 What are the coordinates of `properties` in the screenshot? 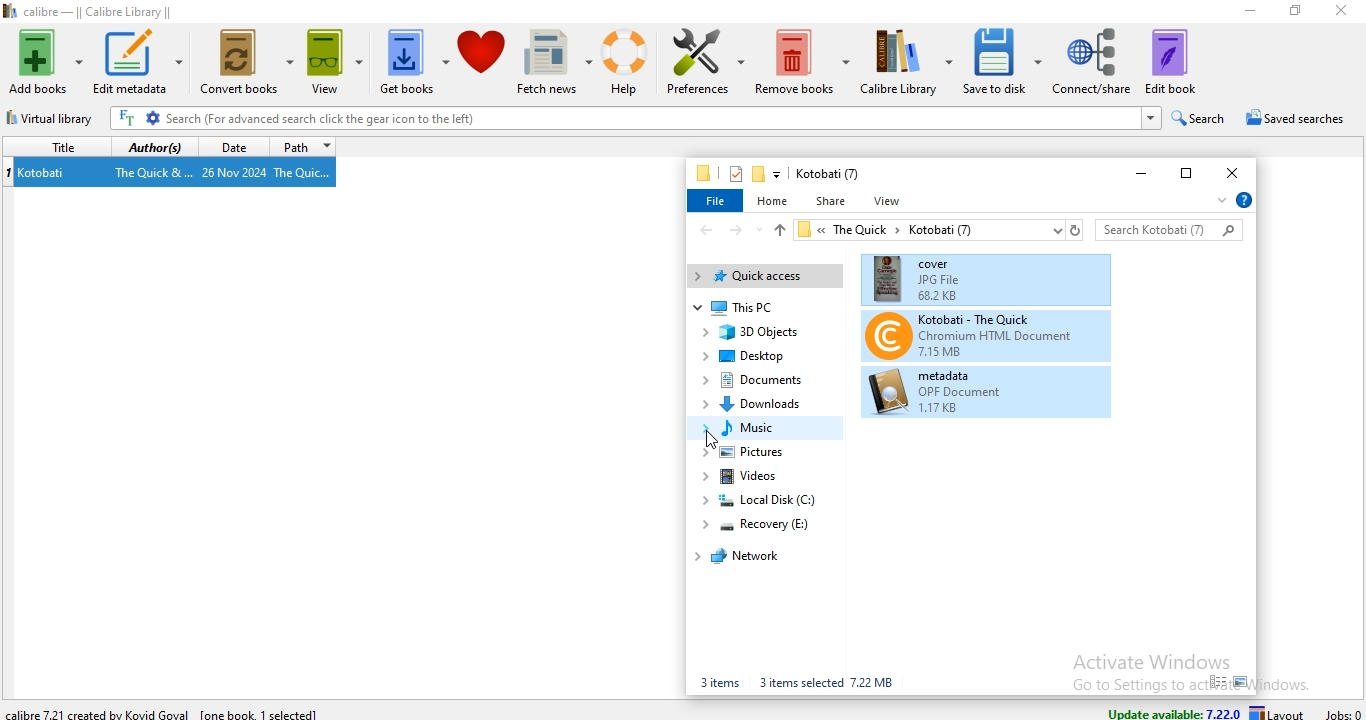 It's located at (734, 173).